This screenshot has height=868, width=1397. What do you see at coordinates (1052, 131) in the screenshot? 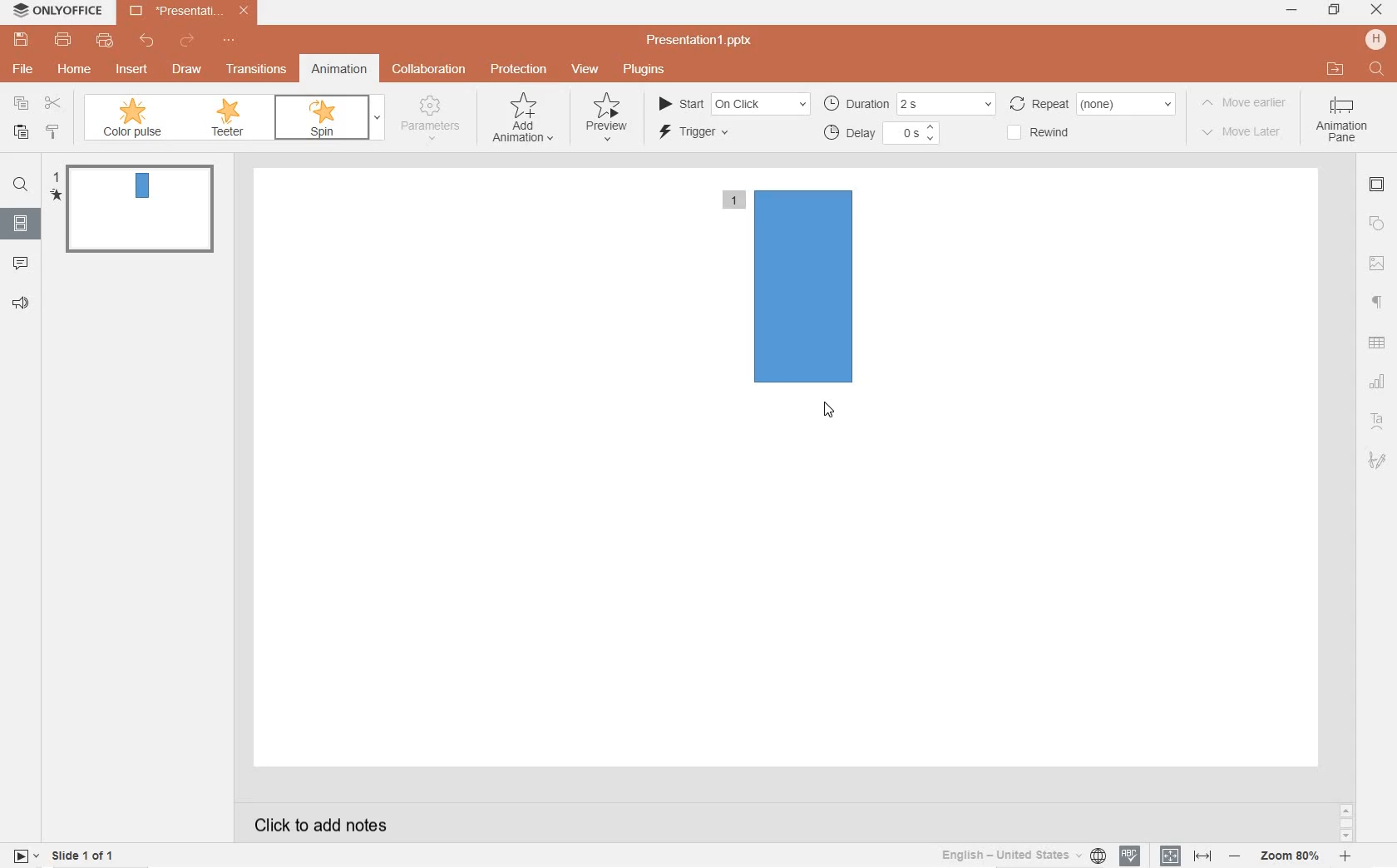
I see `rewind` at bounding box center [1052, 131].